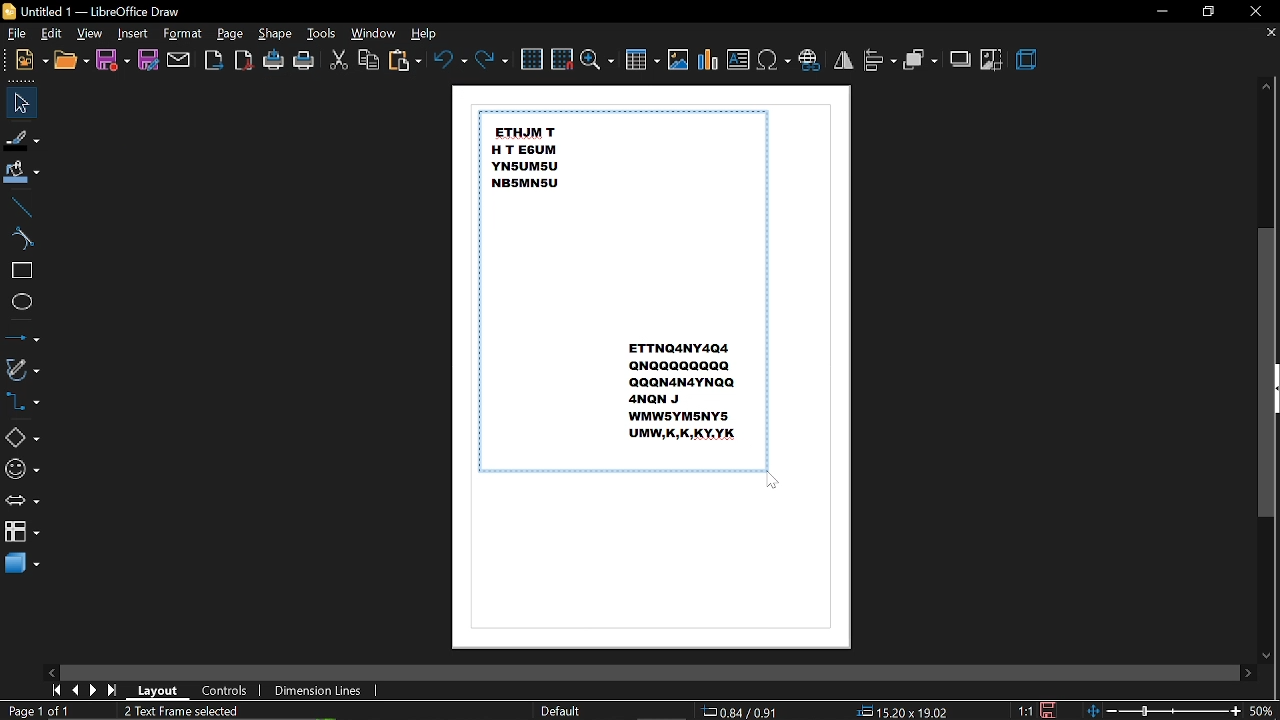  What do you see at coordinates (1209, 13) in the screenshot?
I see `restore down` at bounding box center [1209, 13].